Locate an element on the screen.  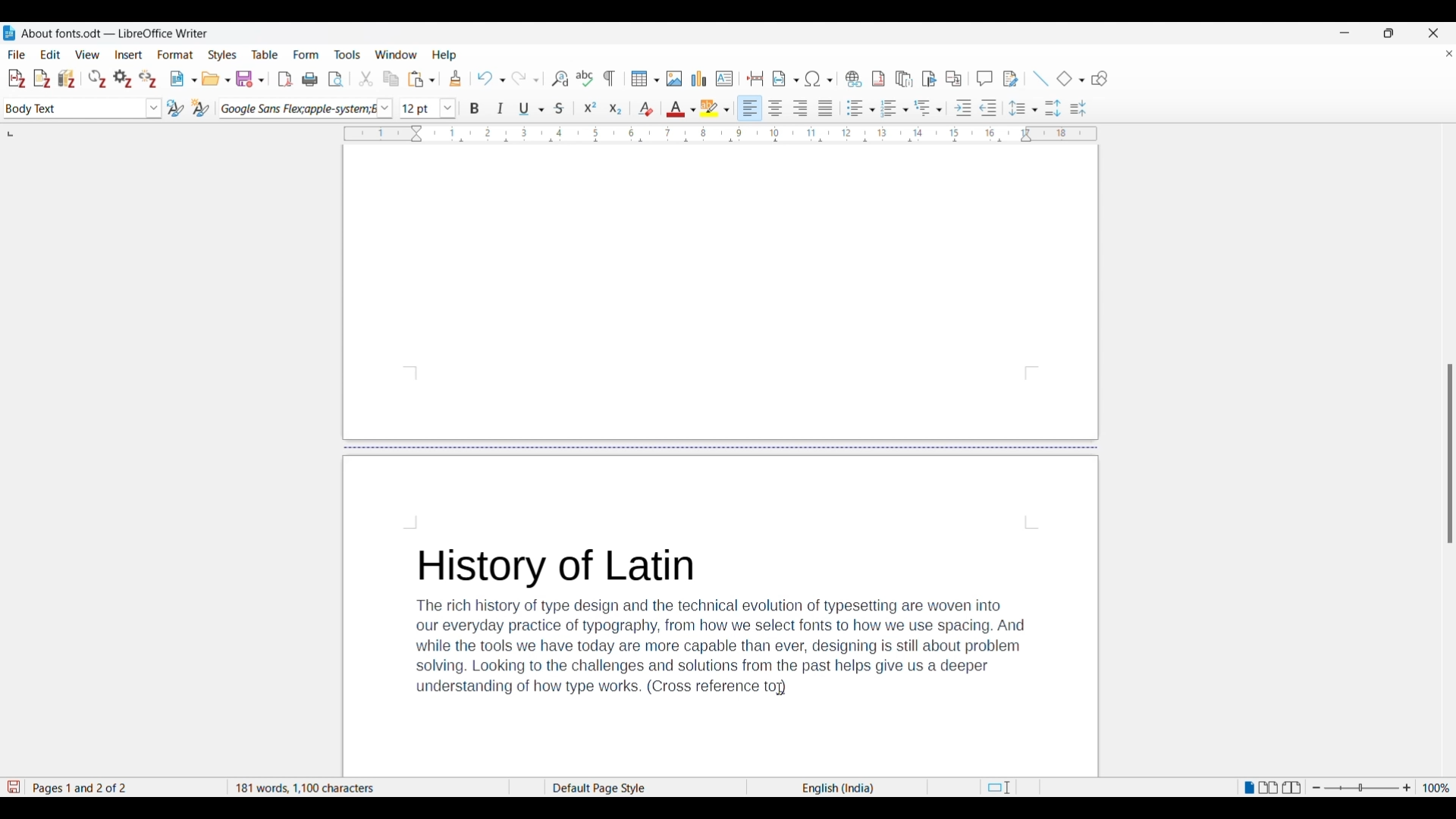
Special character options is located at coordinates (819, 78).